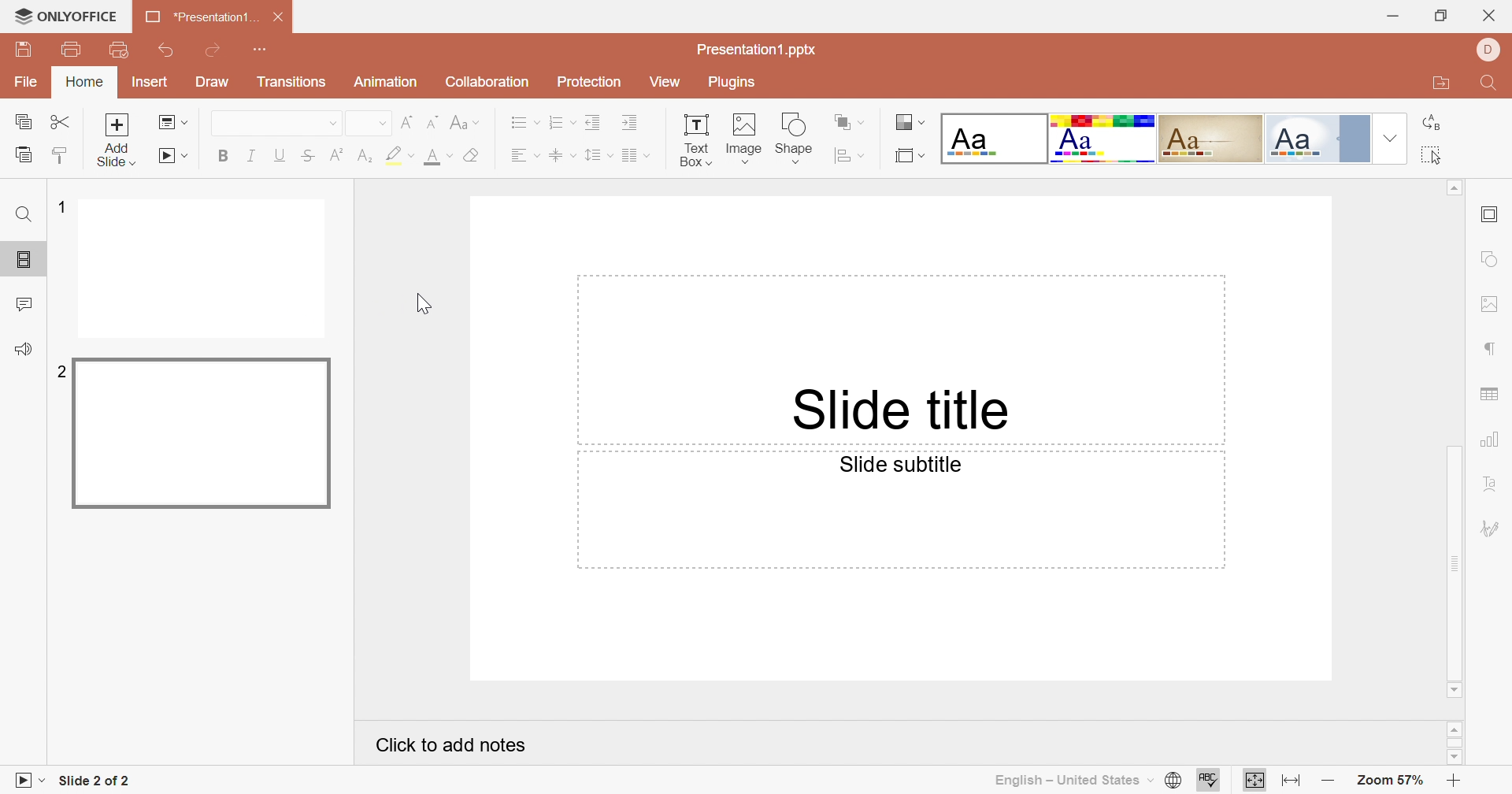  What do you see at coordinates (1294, 780) in the screenshot?
I see `Fit to width` at bounding box center [1294, 780].